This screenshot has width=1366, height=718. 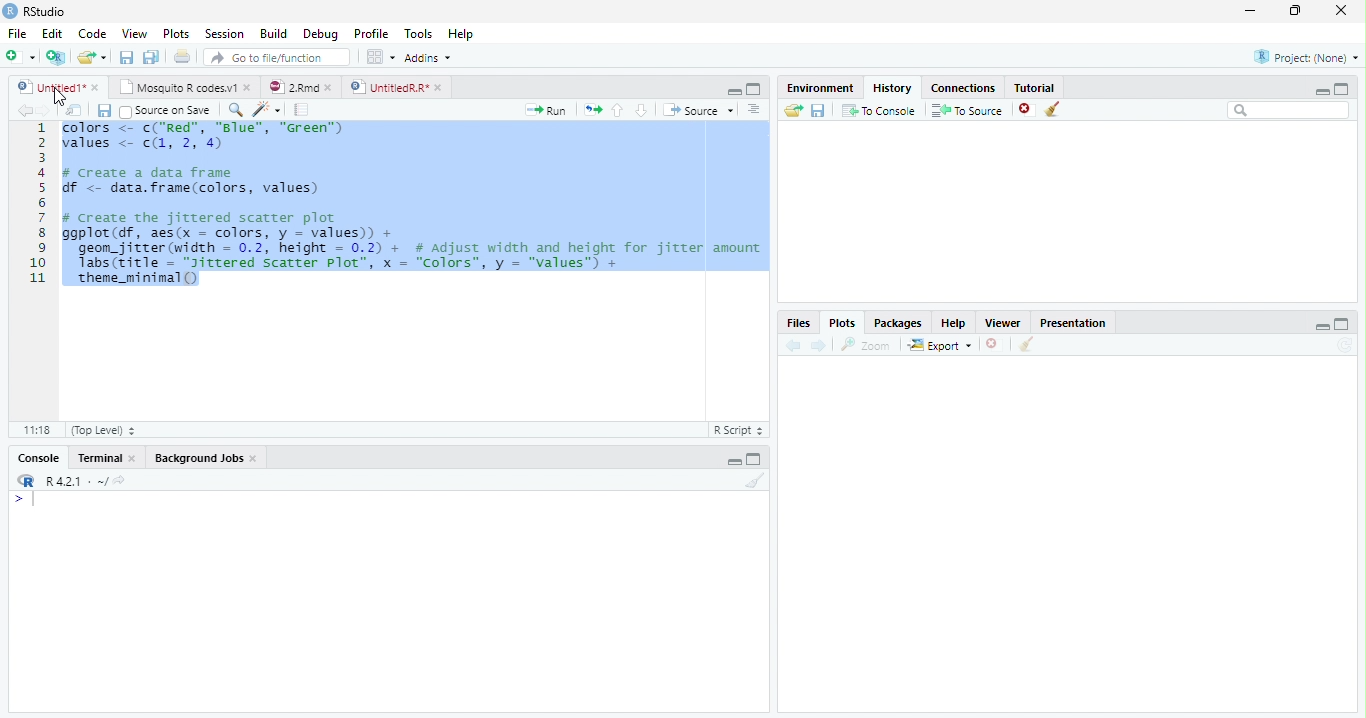 I want to click on Print the current file, so click(x=183, y=56).